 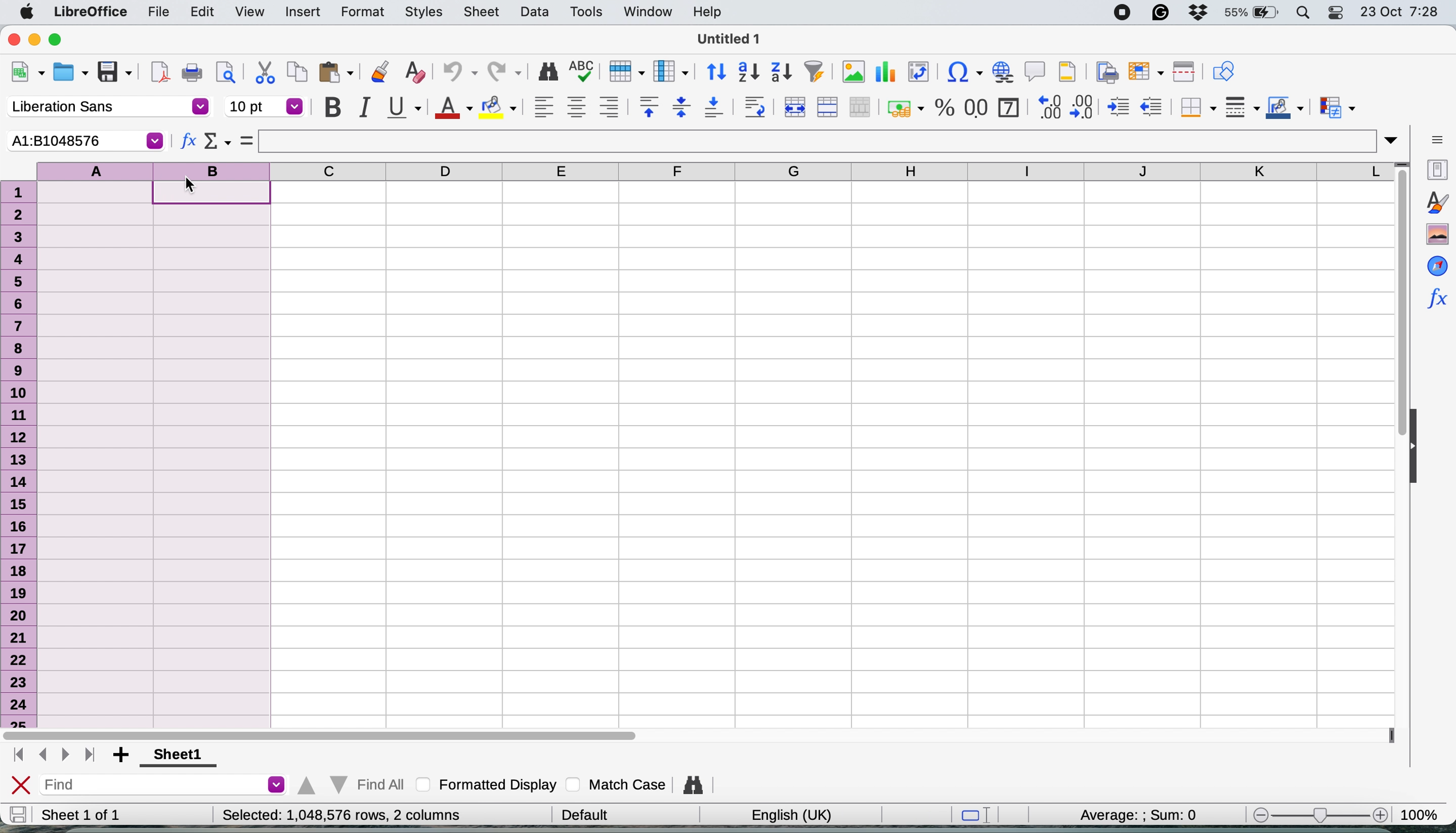 I want to click on row, so click(x=627, y=72).